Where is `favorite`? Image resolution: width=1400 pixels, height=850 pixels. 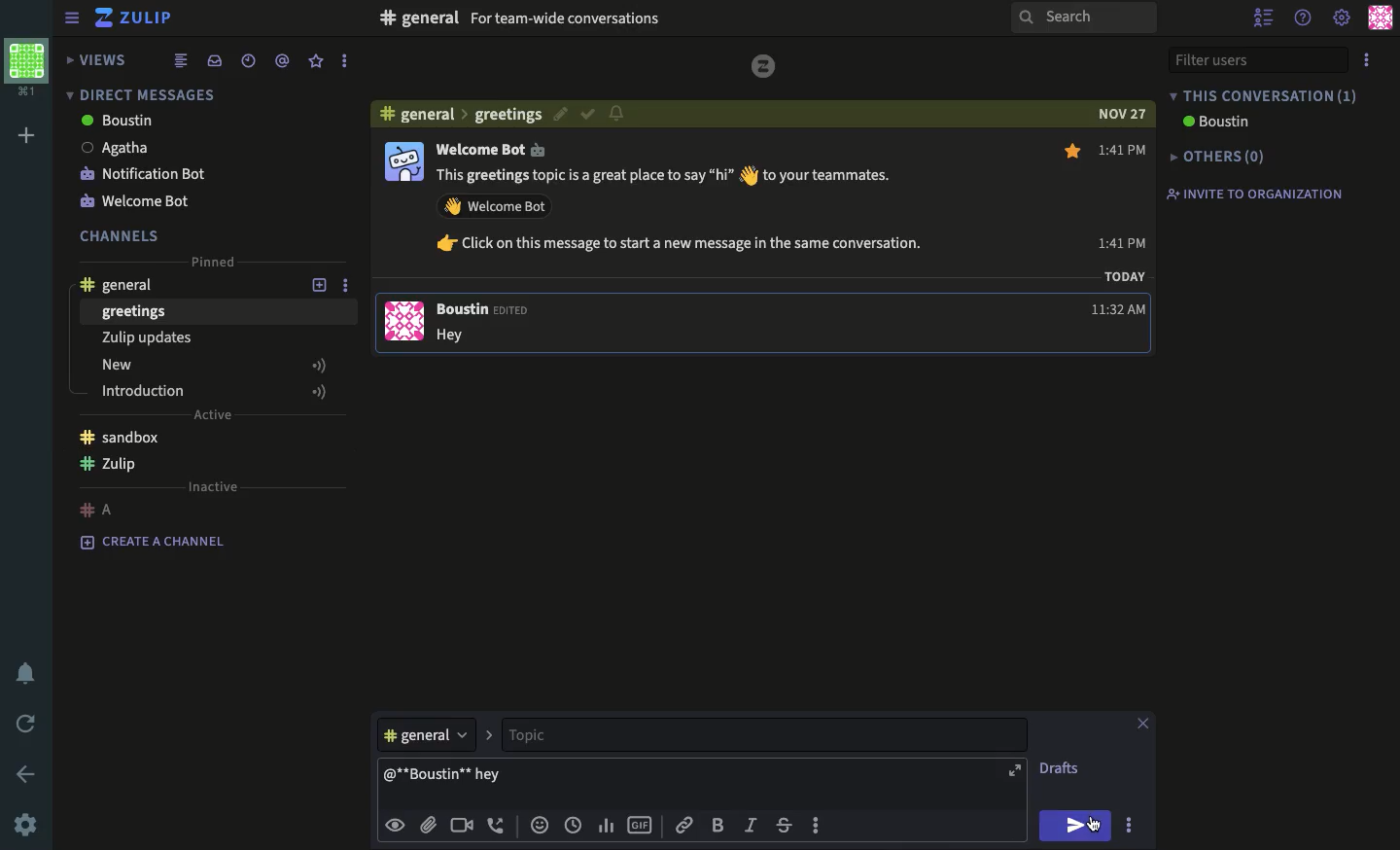 favorite is located at coordinates (317, 61).